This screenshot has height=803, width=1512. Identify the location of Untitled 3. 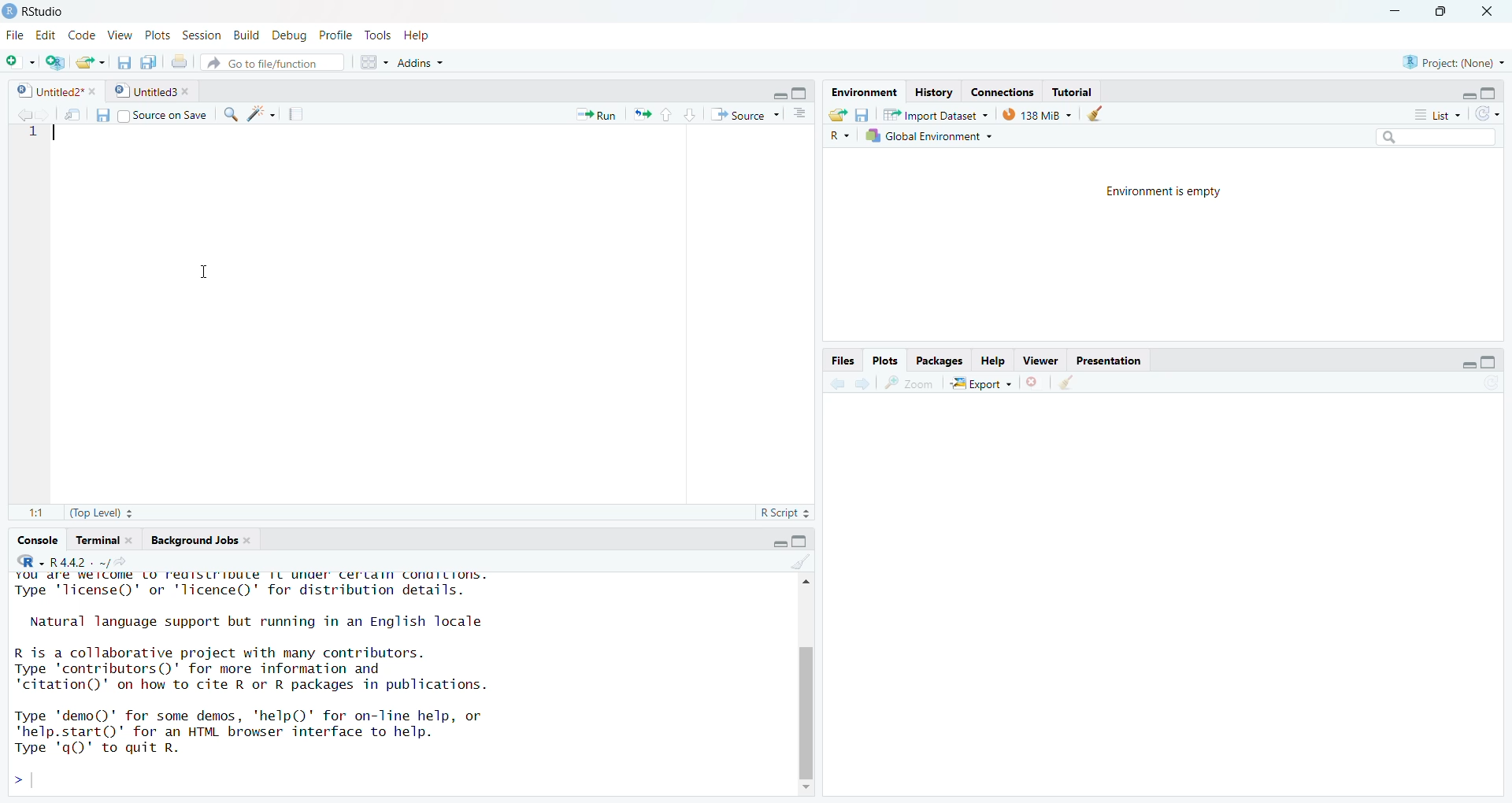
(152, 91).